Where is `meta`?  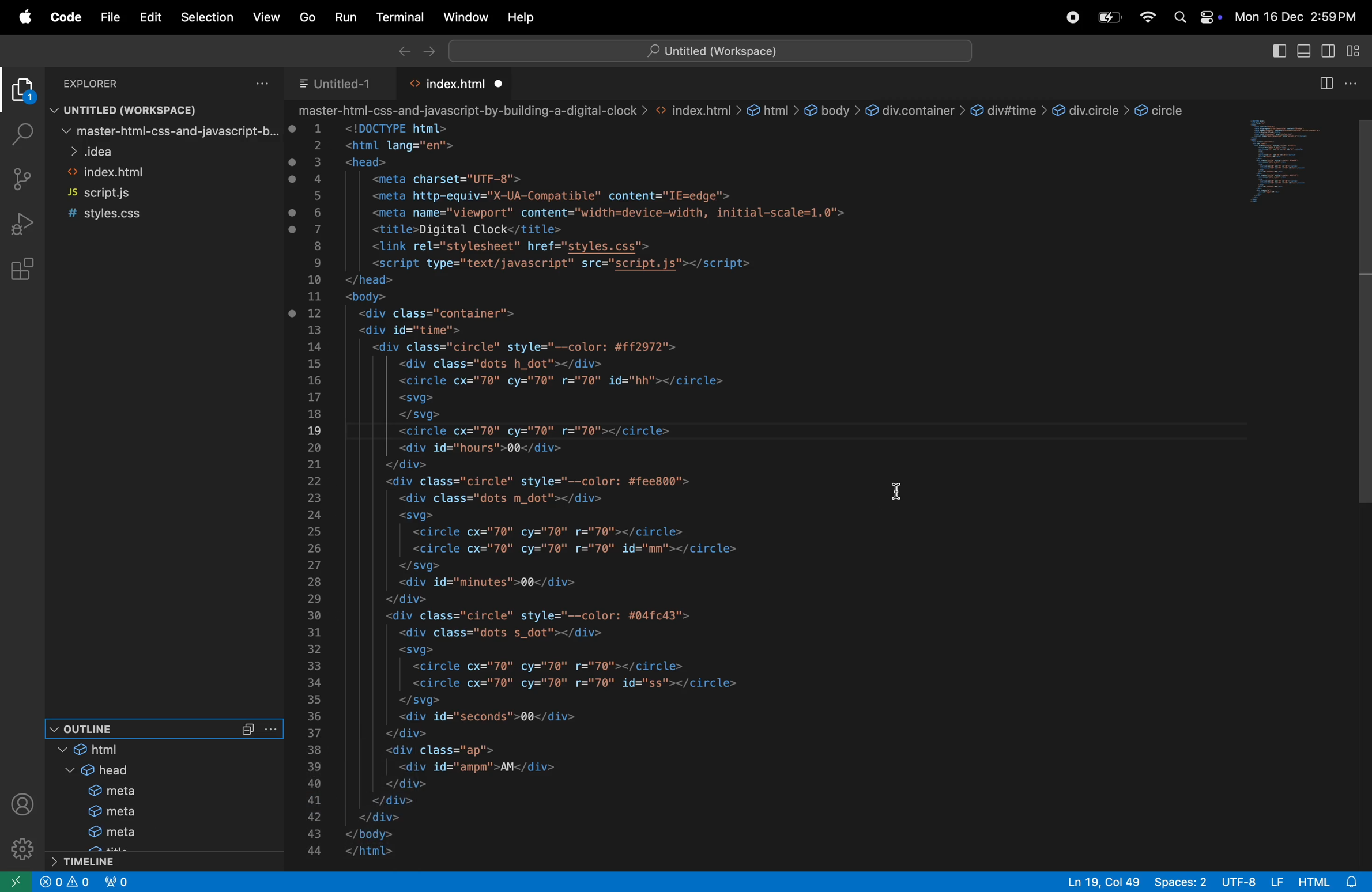 meta is located at coordinates (141, 837).